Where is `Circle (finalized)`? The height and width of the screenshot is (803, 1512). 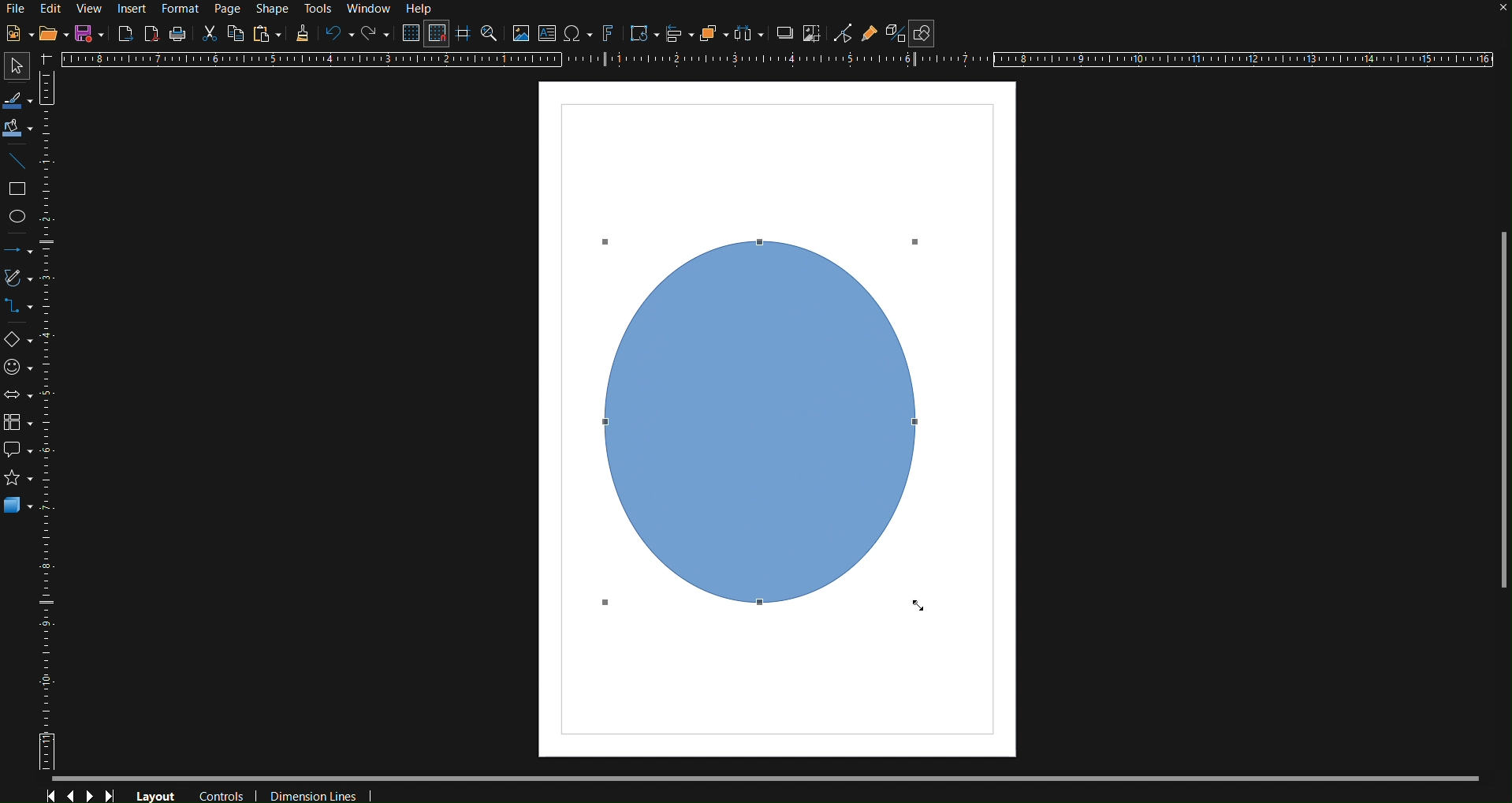
Circle (finalized) is located at coordinates (774, 428).